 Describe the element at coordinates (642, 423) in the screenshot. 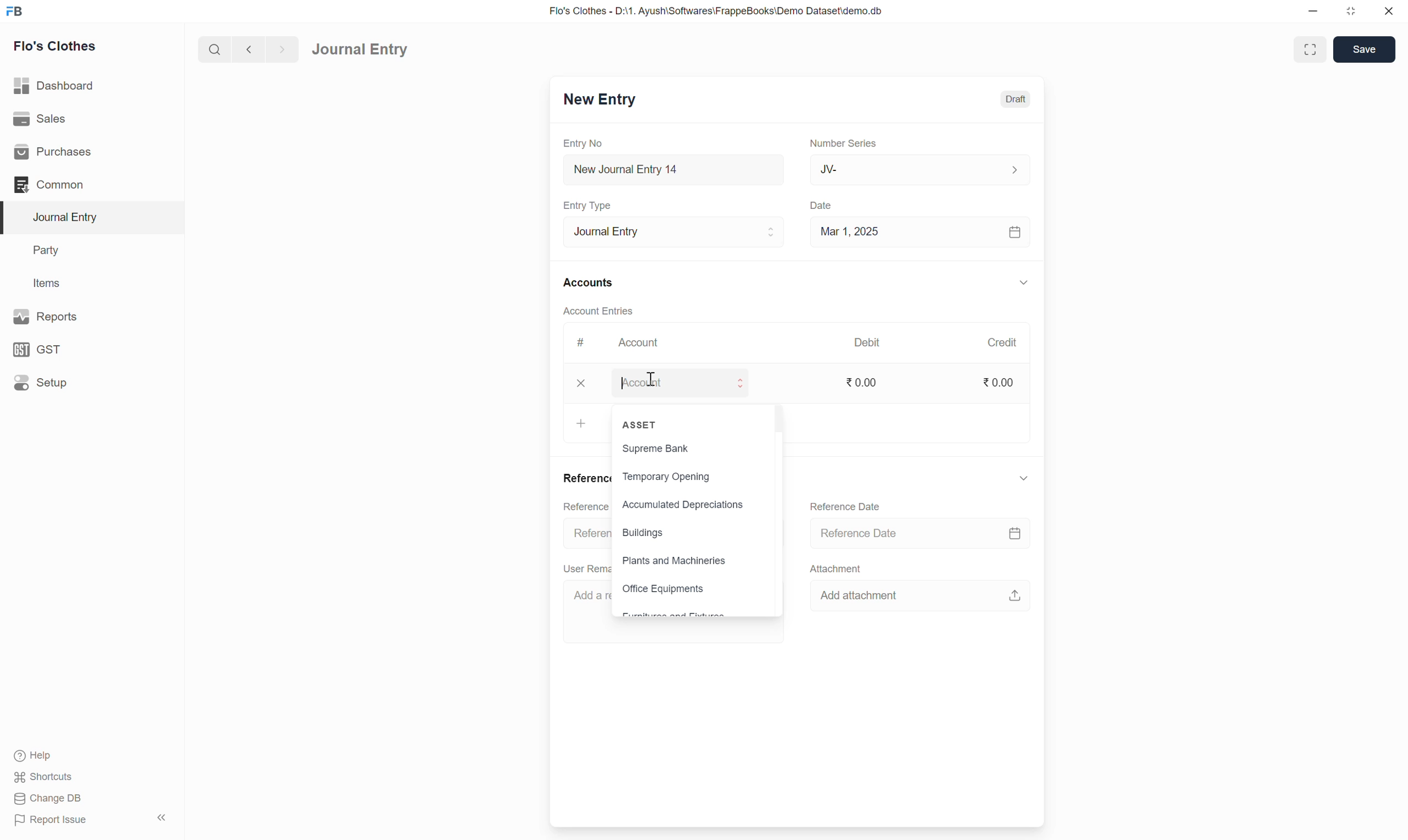

I see `ASSET` at that location.